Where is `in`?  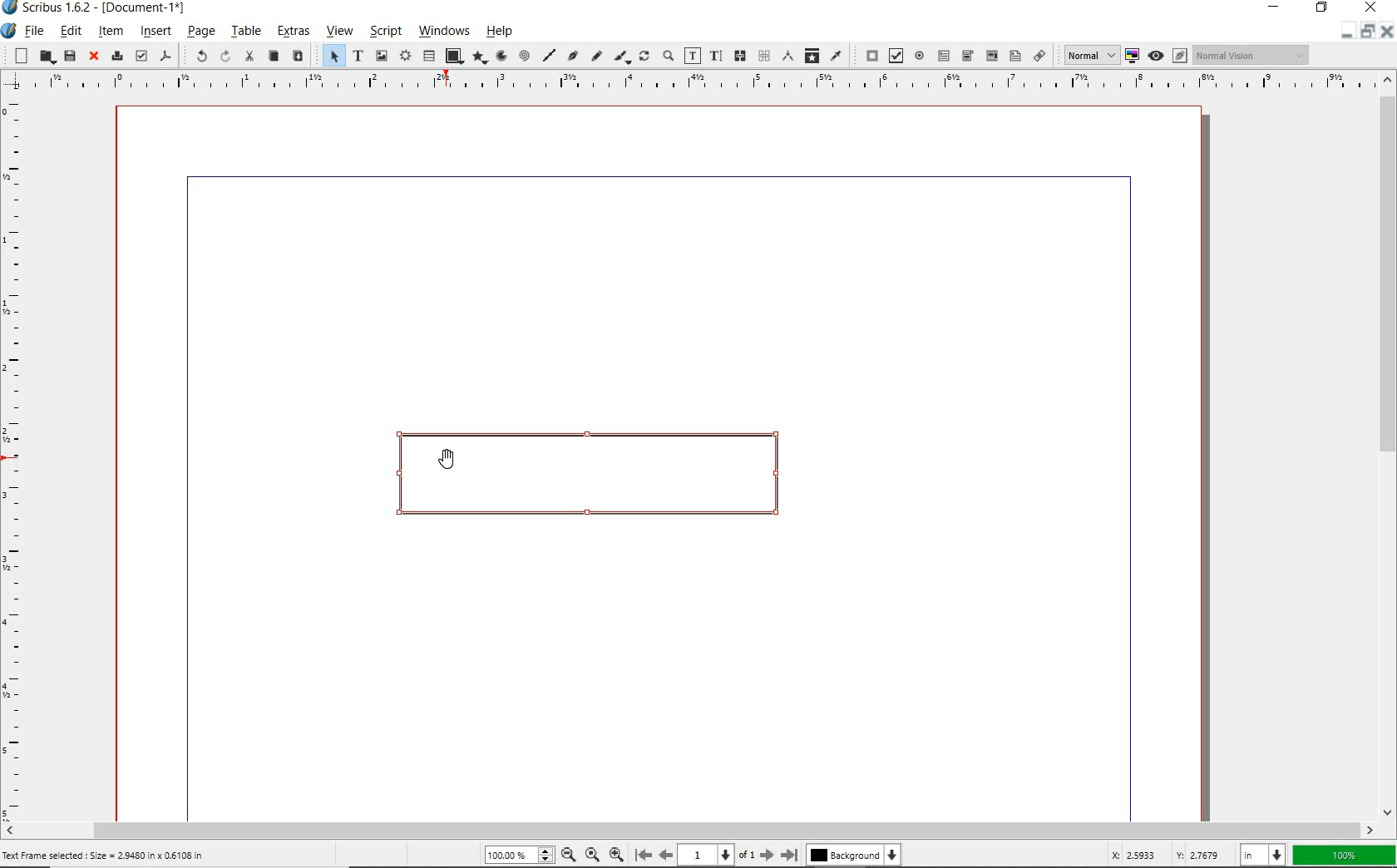
in is located at coordinates (1265, 854).